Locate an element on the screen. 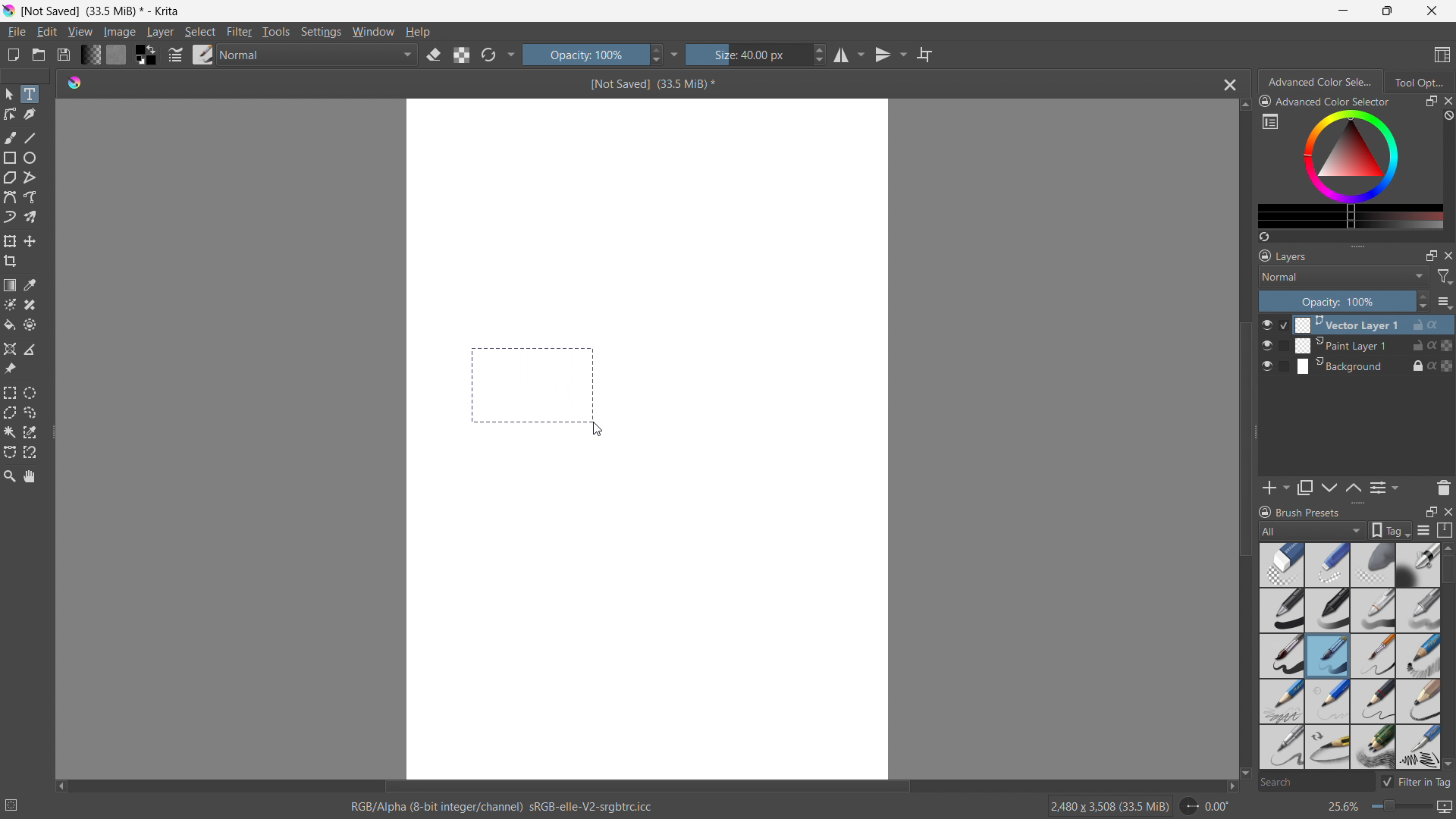 Image resolution: width=1456 pixels, height=819 pixels. assistant tool is located at coordinates (10, 349).